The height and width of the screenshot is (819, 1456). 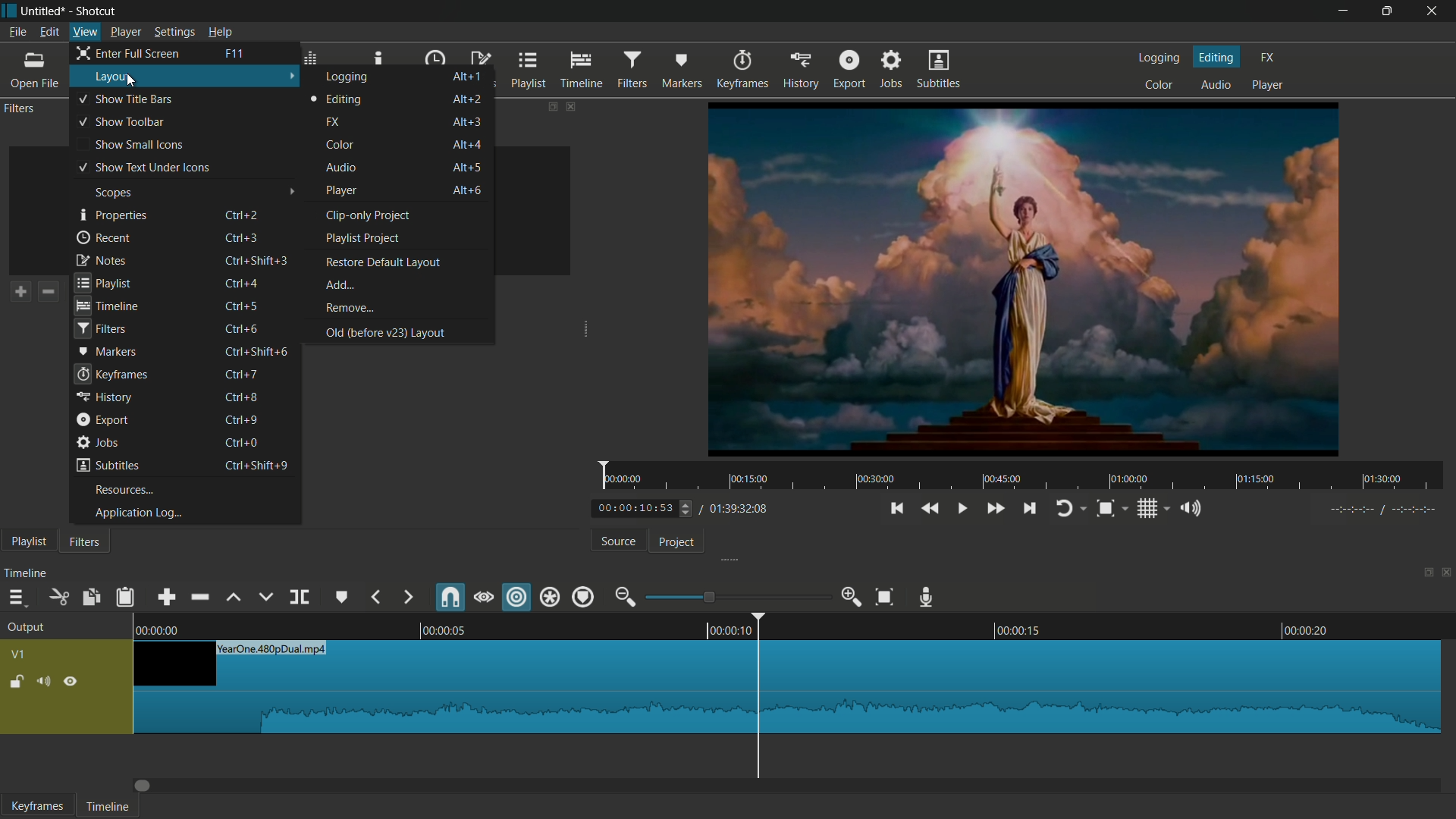 What do you see at coordinates (1447, 572) in the screenshot?
I see `close timeline` at bounding box center [1447, 572].